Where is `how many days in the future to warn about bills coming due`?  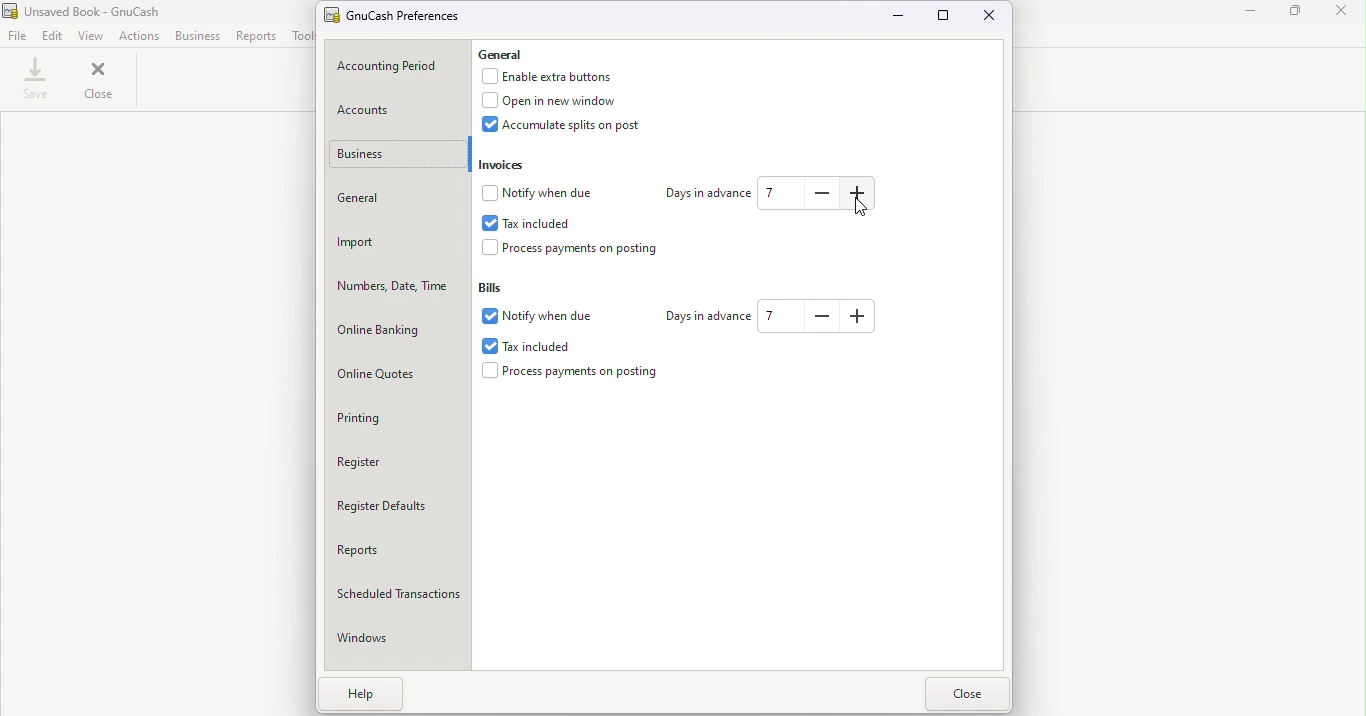 how many days in the future to warn about bills coming due is located at coordinates (778, 316).